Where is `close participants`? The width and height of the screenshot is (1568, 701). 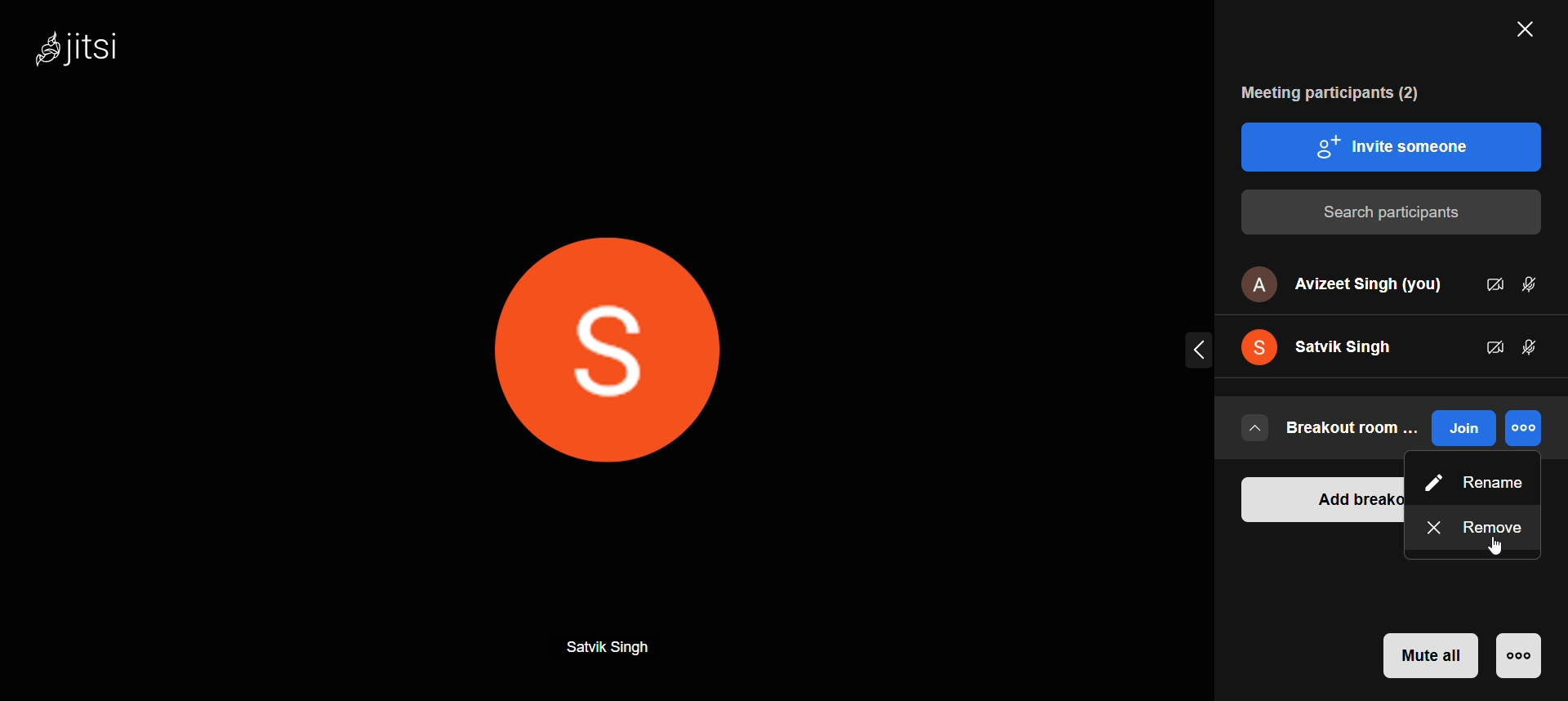 close participants is located at coordinates (1521, 33).